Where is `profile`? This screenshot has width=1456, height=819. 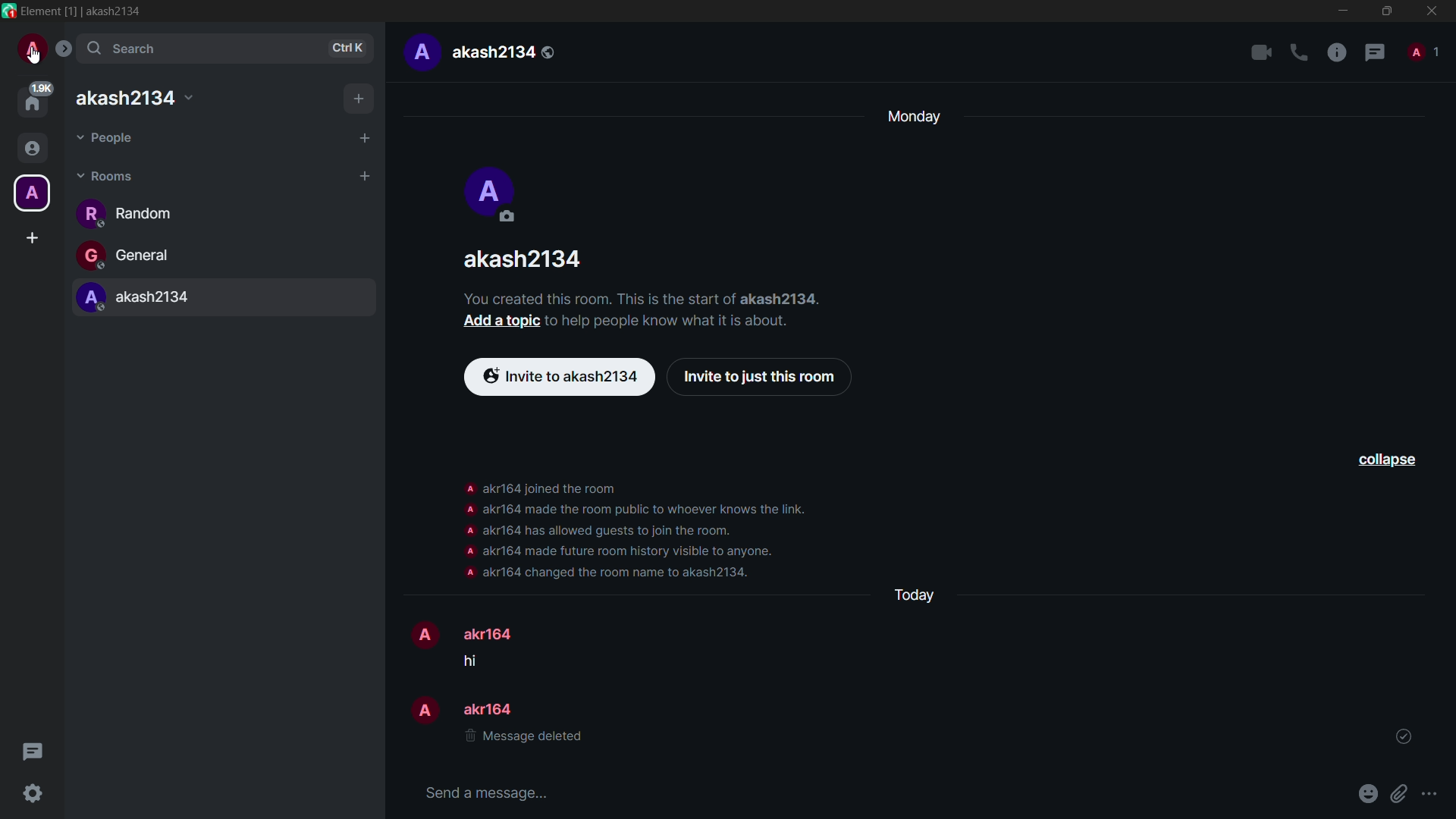
profile is located at coordinates (467, 551).